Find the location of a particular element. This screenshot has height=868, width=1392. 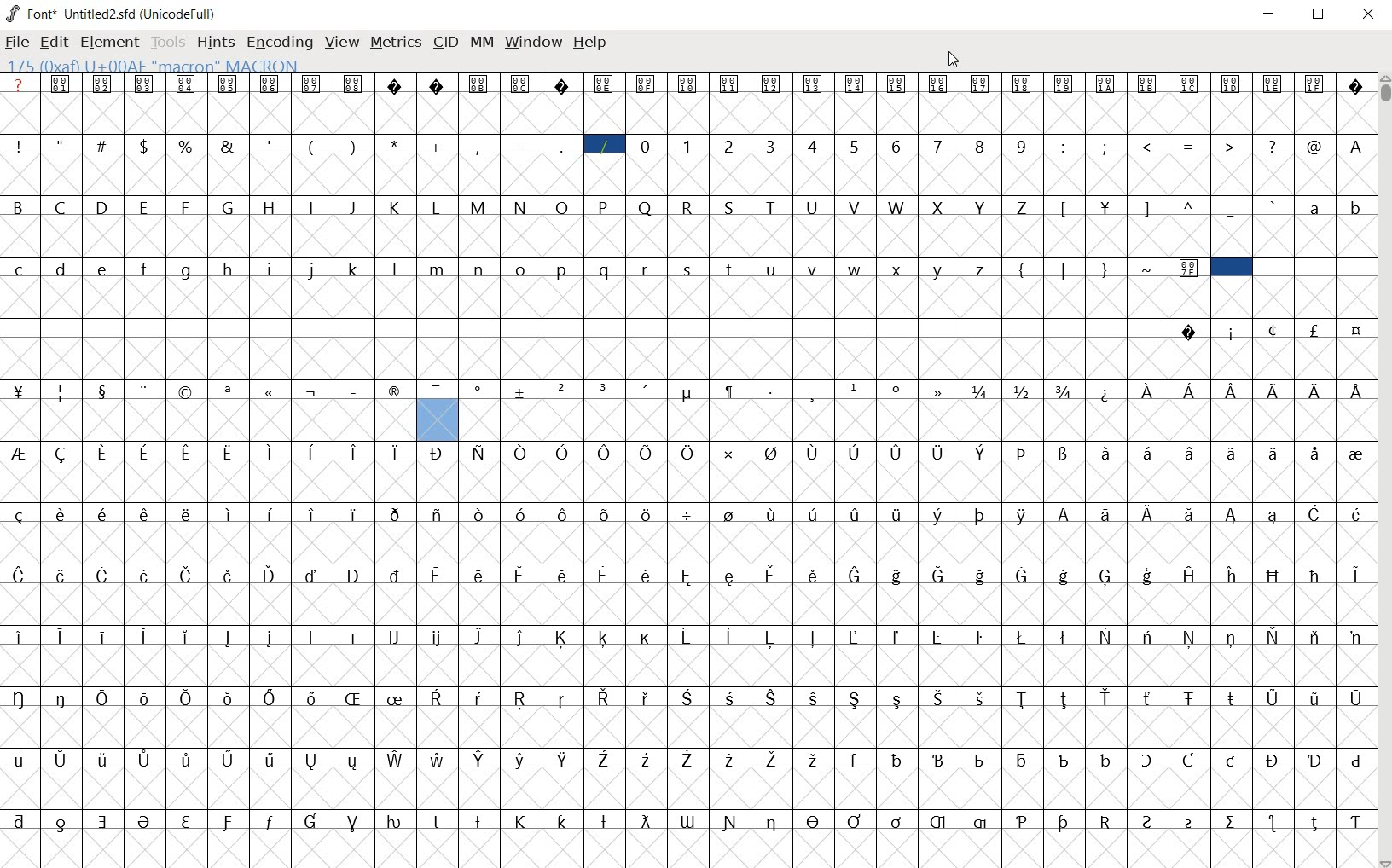

m is located at coordinates (438, 268).